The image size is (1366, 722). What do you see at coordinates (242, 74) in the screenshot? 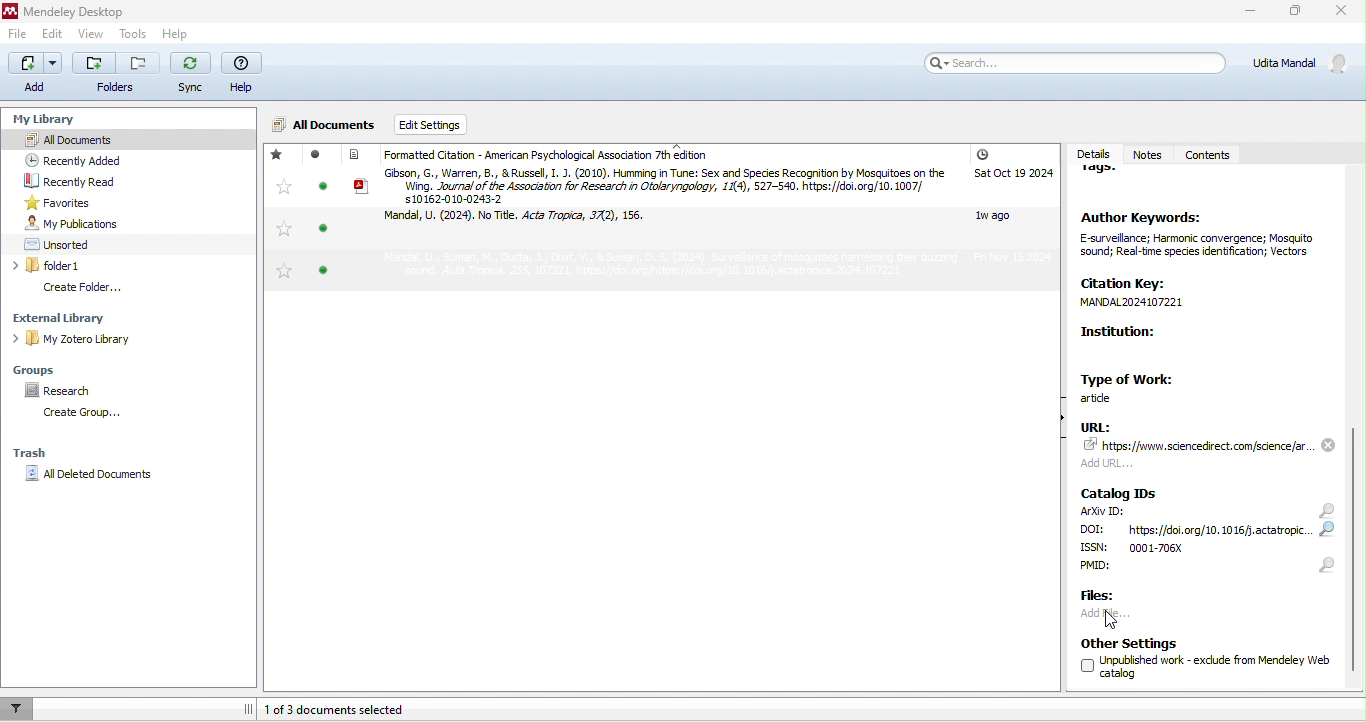
I see `help` at bounding box center [242, 74].